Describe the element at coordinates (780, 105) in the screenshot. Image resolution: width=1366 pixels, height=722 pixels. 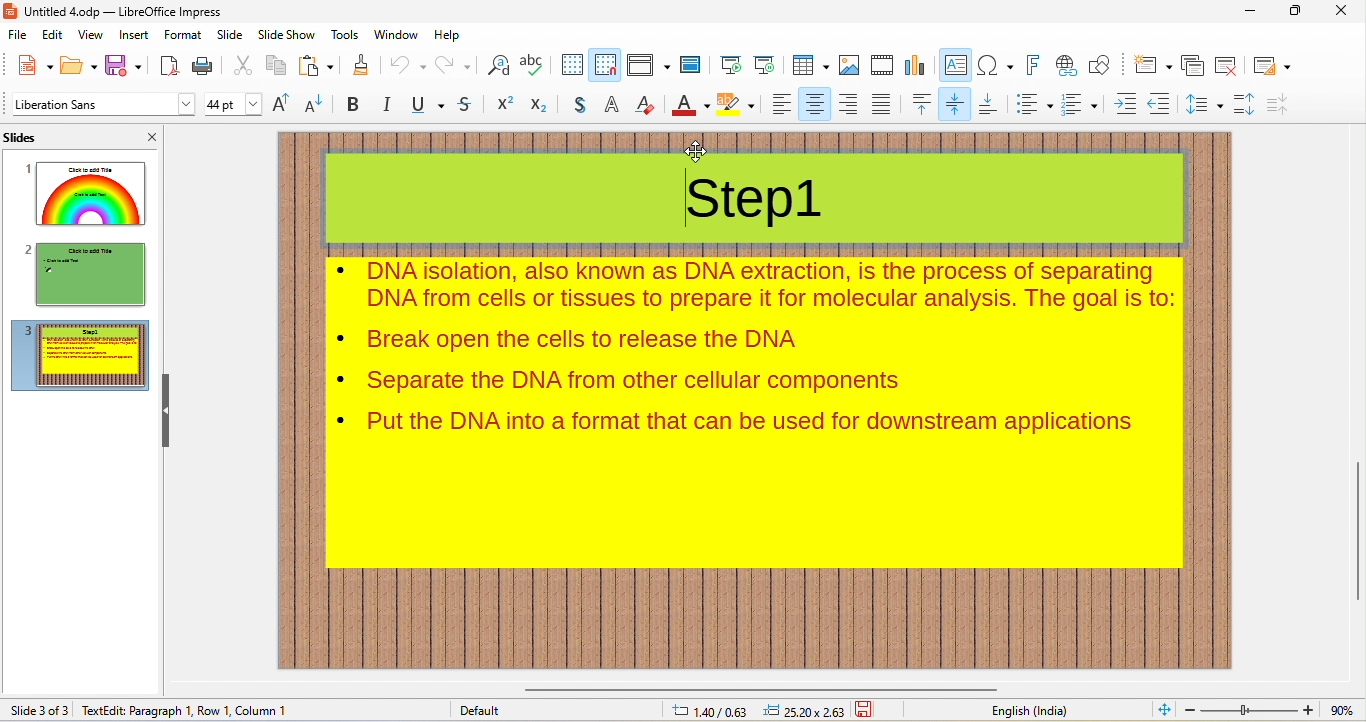
I see `align left` at that location.